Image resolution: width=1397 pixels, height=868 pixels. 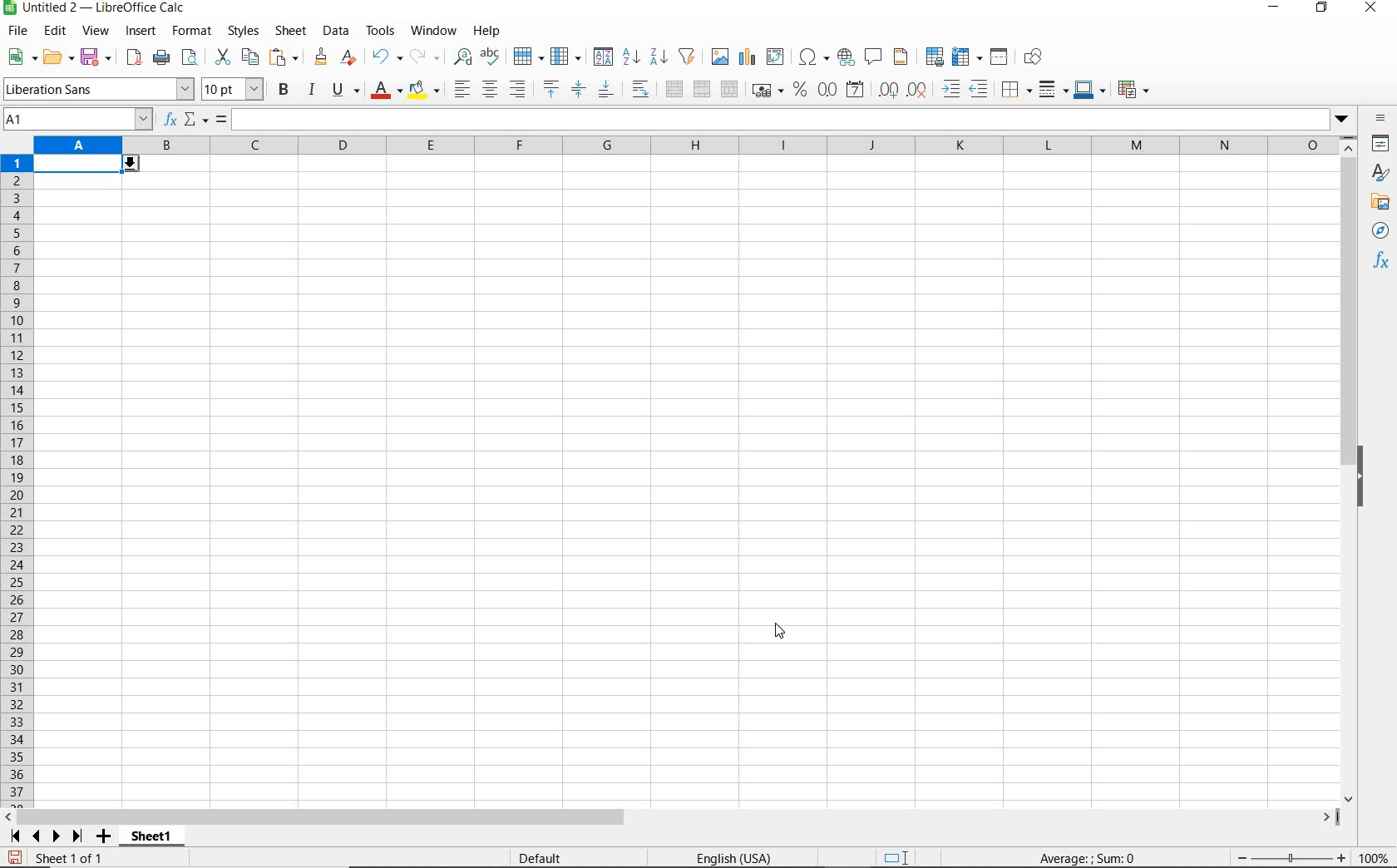 I want to click on drop-down list created within a cell, so click(x=88, y=165).